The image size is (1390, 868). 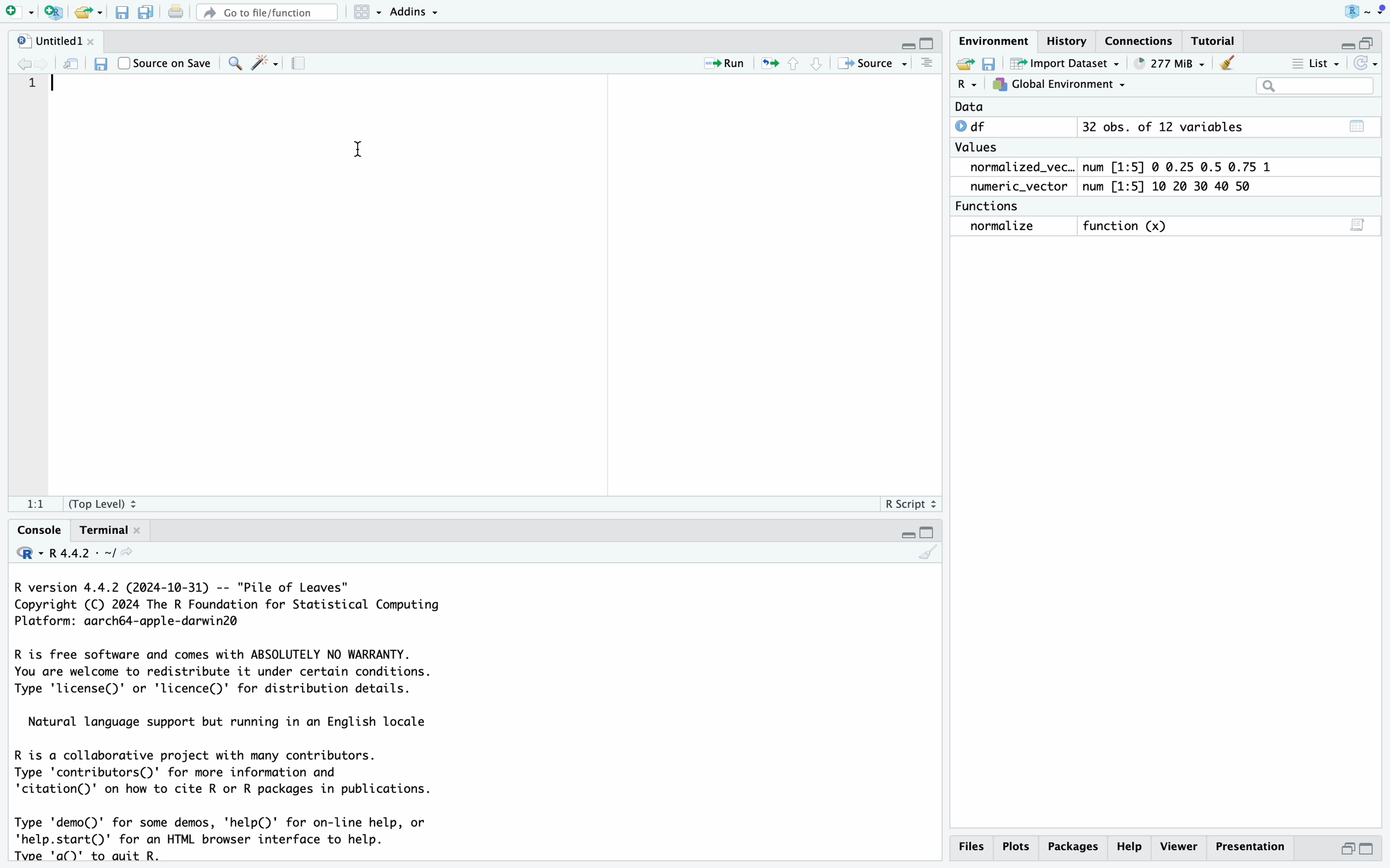 I want to click on packages, so click(x=1076, y=844).